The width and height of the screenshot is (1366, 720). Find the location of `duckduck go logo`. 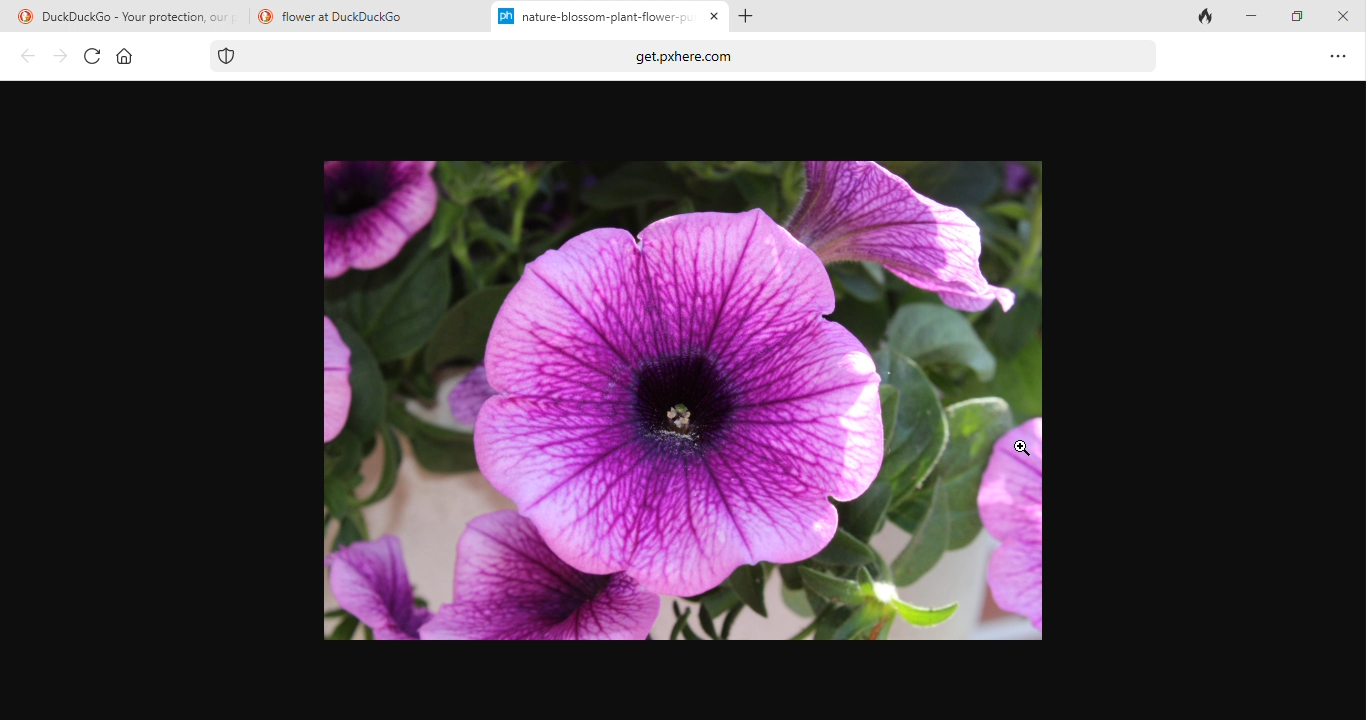

duckduck go logo is located at coordinates (18, 17).